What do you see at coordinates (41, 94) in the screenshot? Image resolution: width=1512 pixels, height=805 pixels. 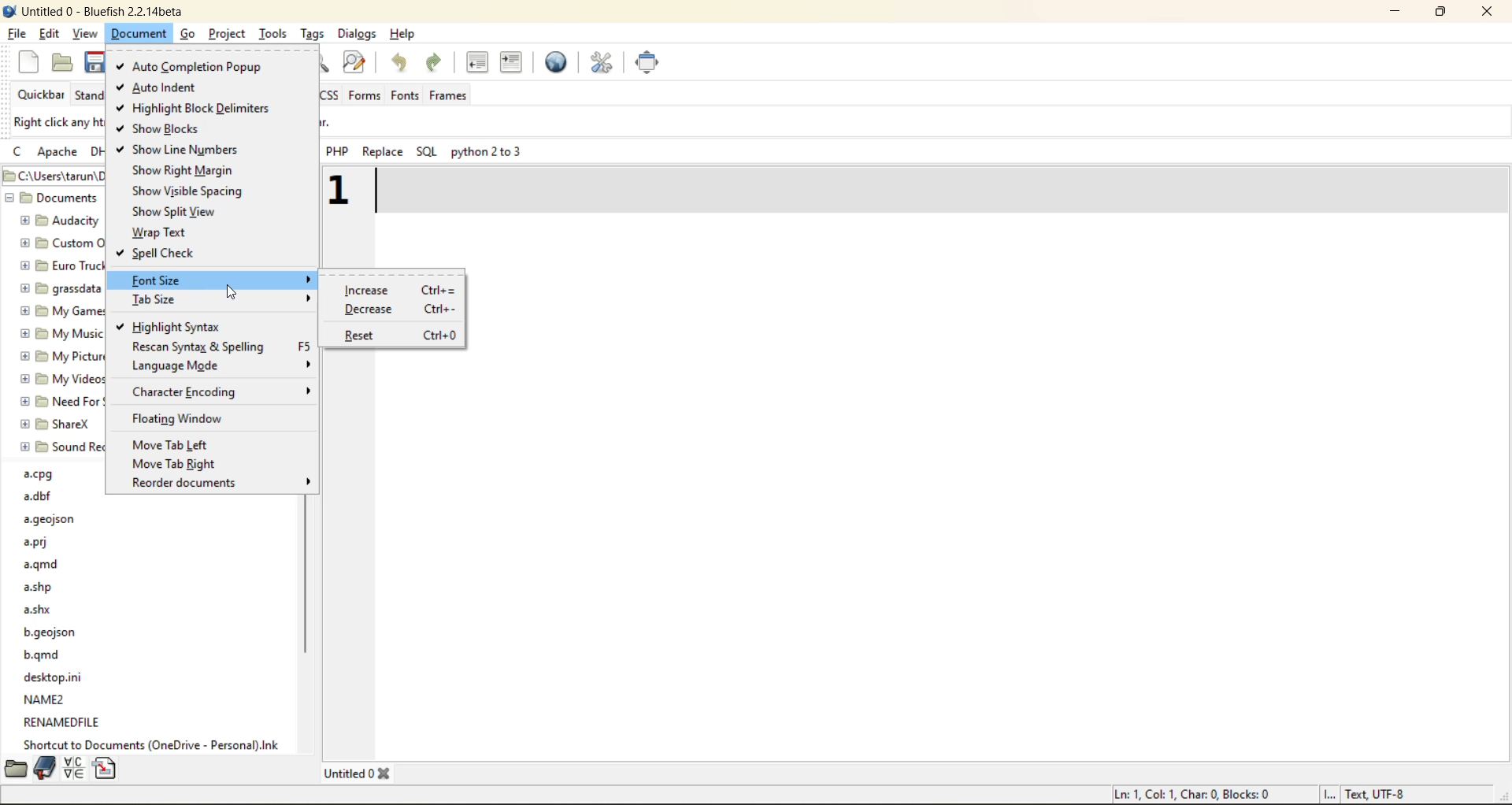 I see `quickbar` at bounding box center [41, 94].